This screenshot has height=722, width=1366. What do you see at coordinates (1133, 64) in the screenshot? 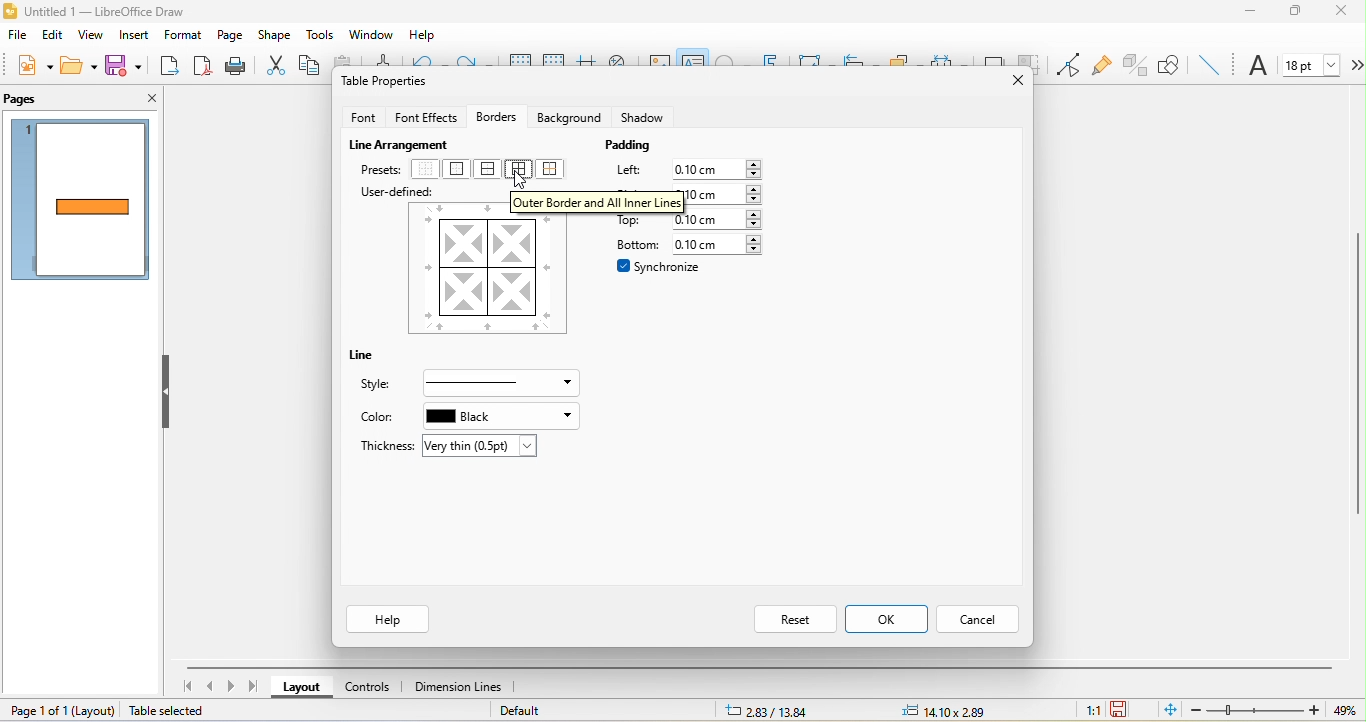
I see `toggle extrusion` at bounding box center [1133, 64].